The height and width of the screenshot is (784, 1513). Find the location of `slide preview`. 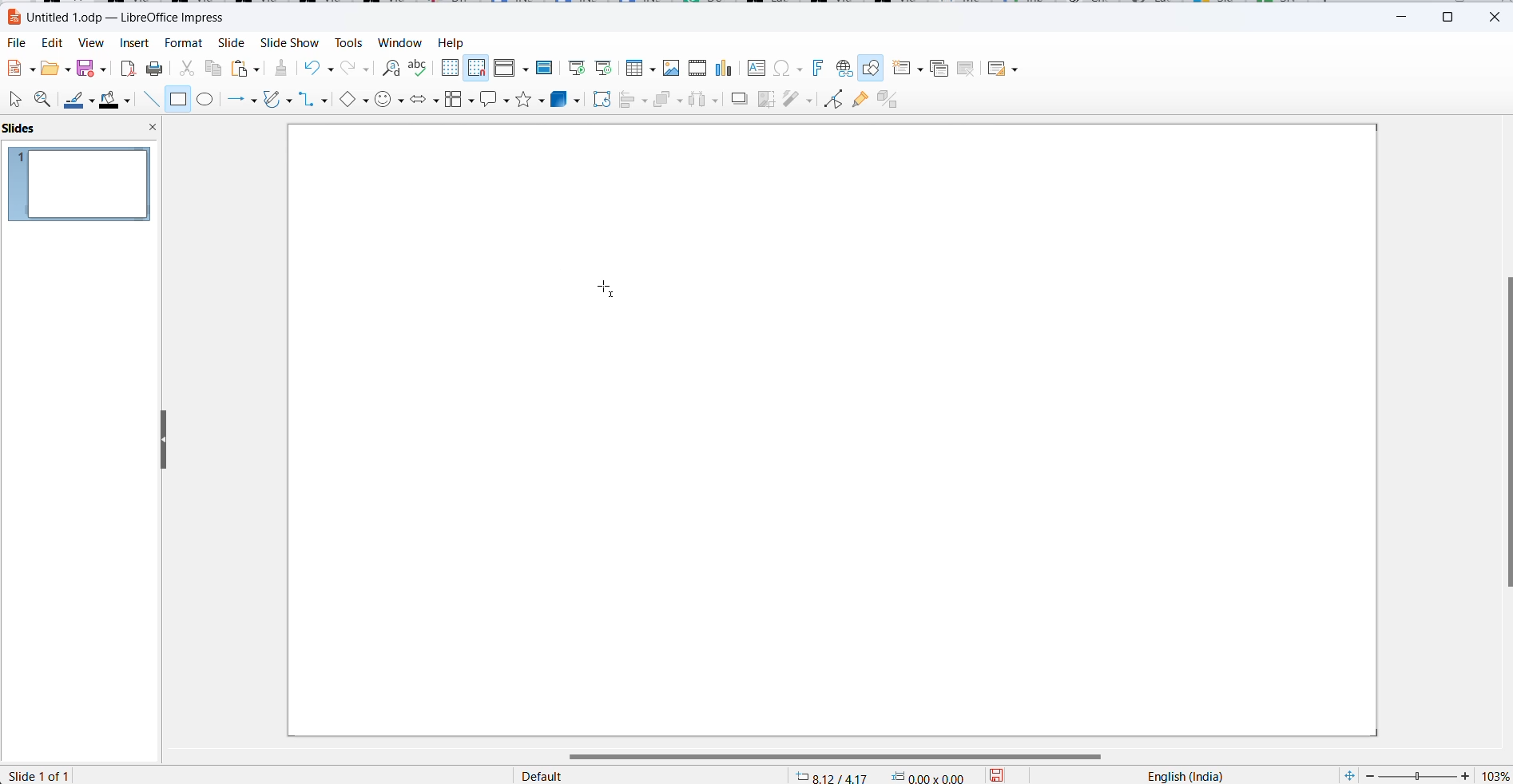

slide preview is located at coordinates (78, 184).